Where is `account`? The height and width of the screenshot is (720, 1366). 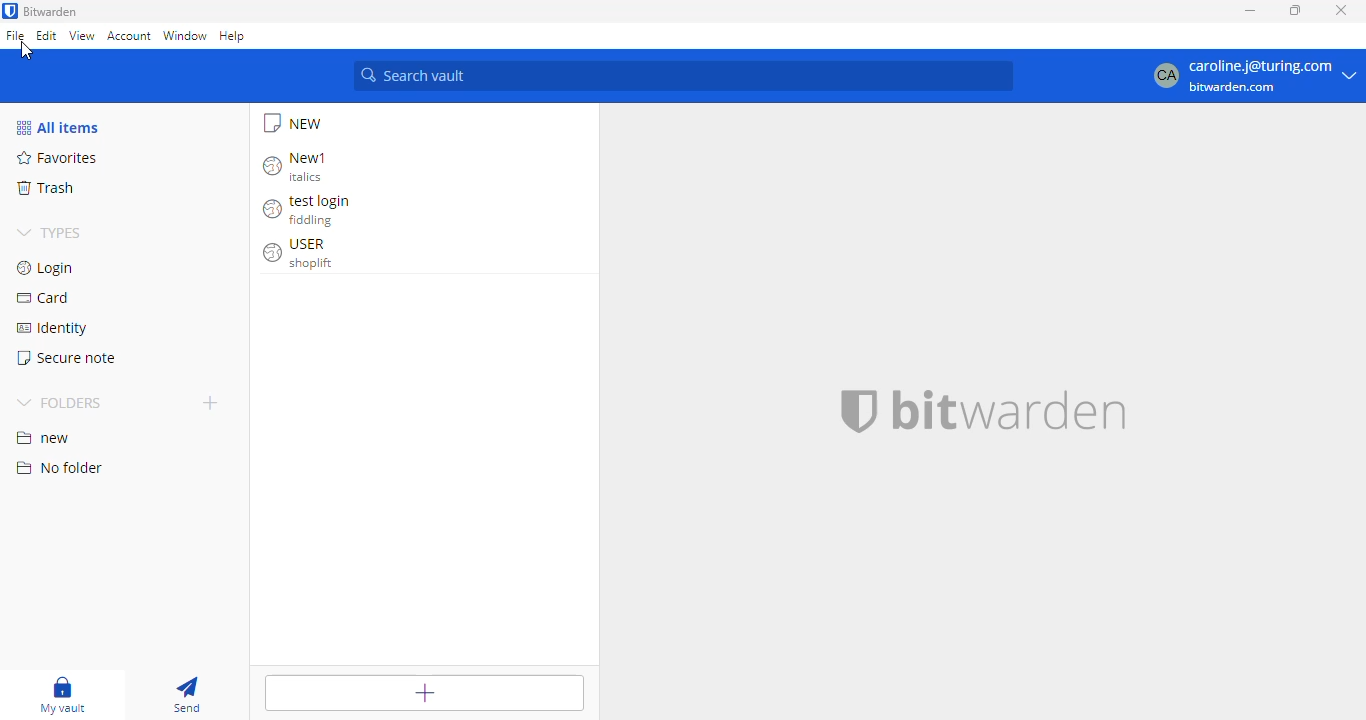 account is located at coordinates (129, 37).